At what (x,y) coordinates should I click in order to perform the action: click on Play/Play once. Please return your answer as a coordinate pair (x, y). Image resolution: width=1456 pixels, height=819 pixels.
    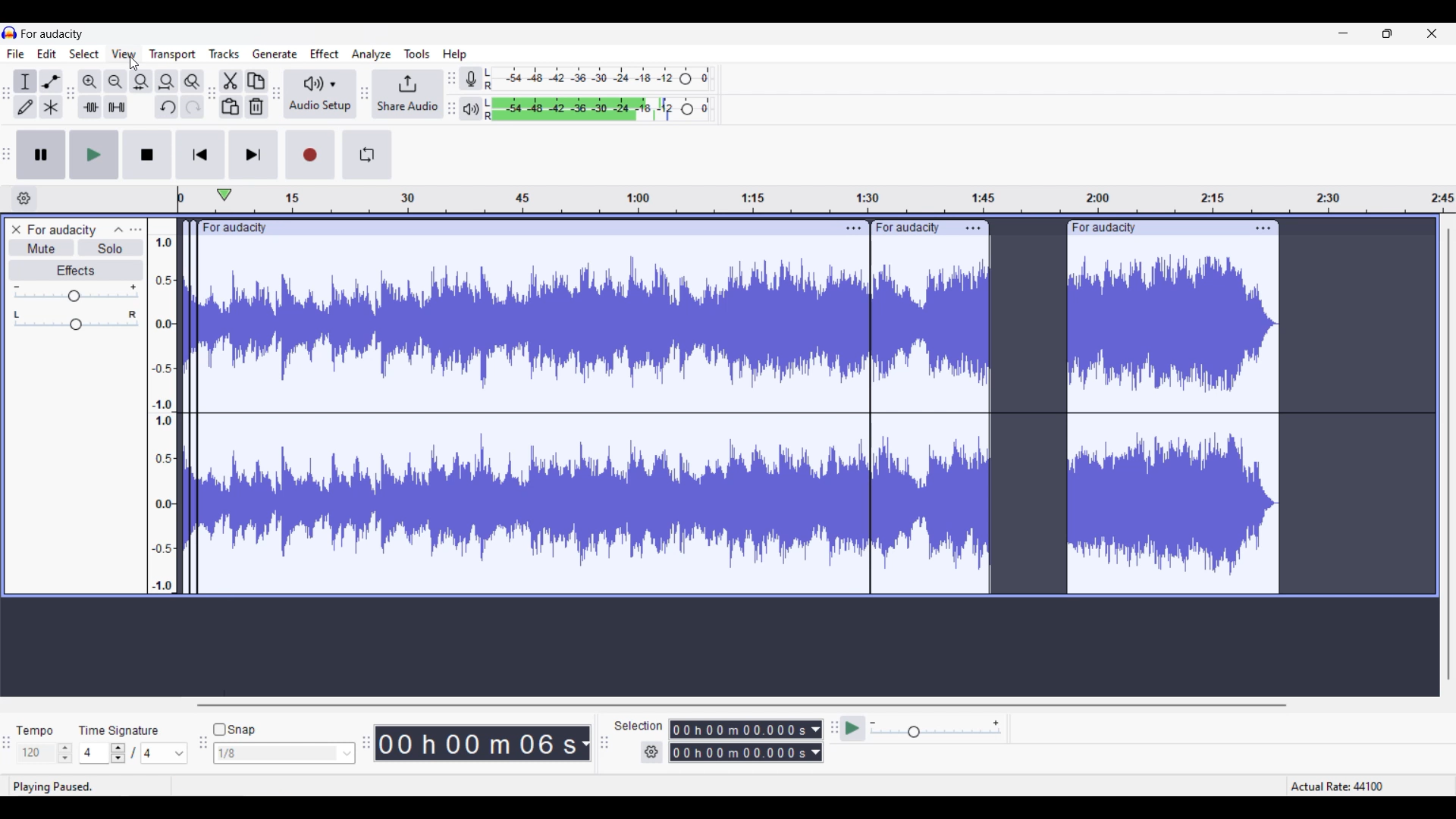
    Looking at the image, I should click on (94, 154).